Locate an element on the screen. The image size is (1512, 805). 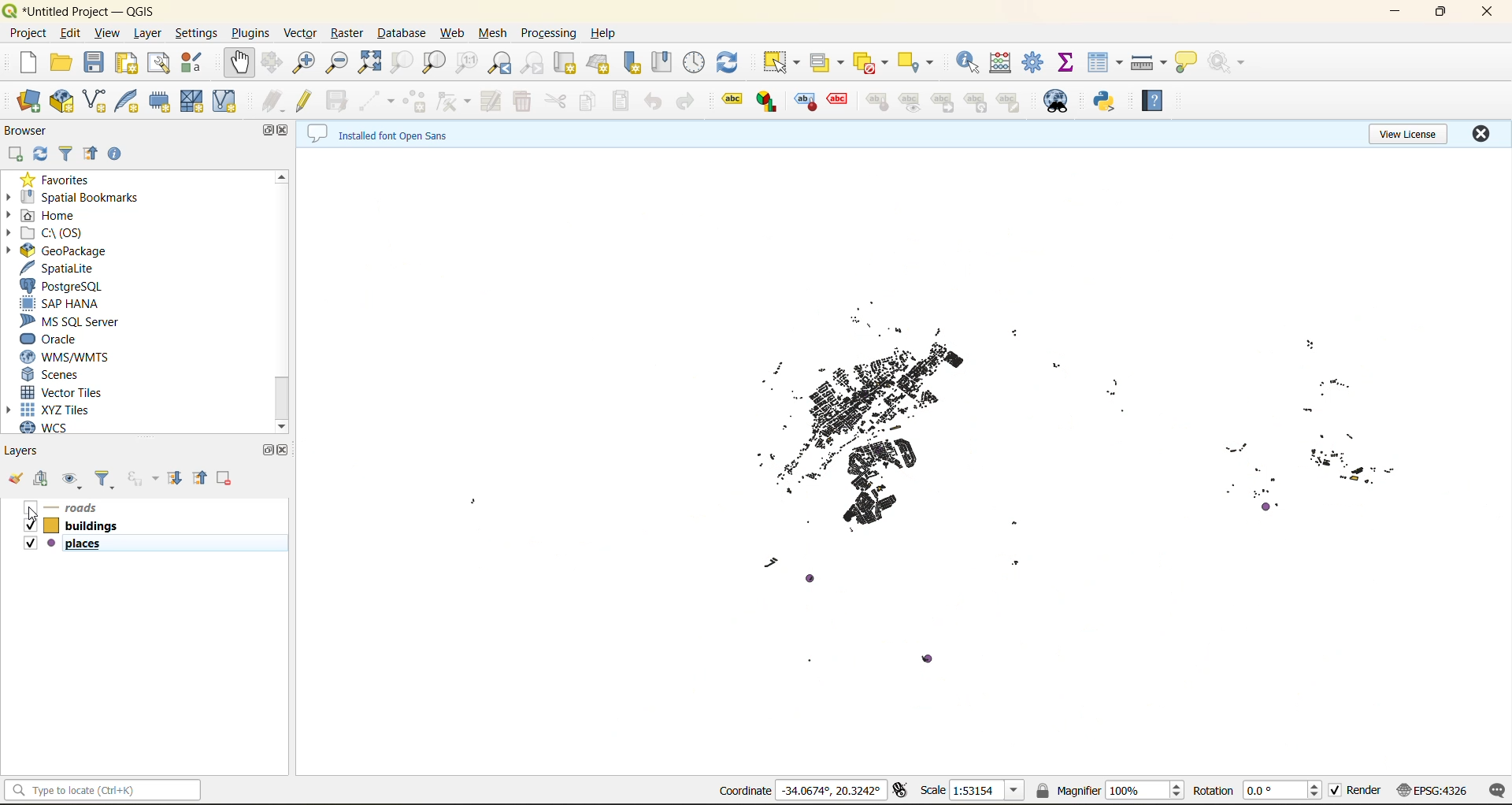
filter is located at coordinates (69, 153).